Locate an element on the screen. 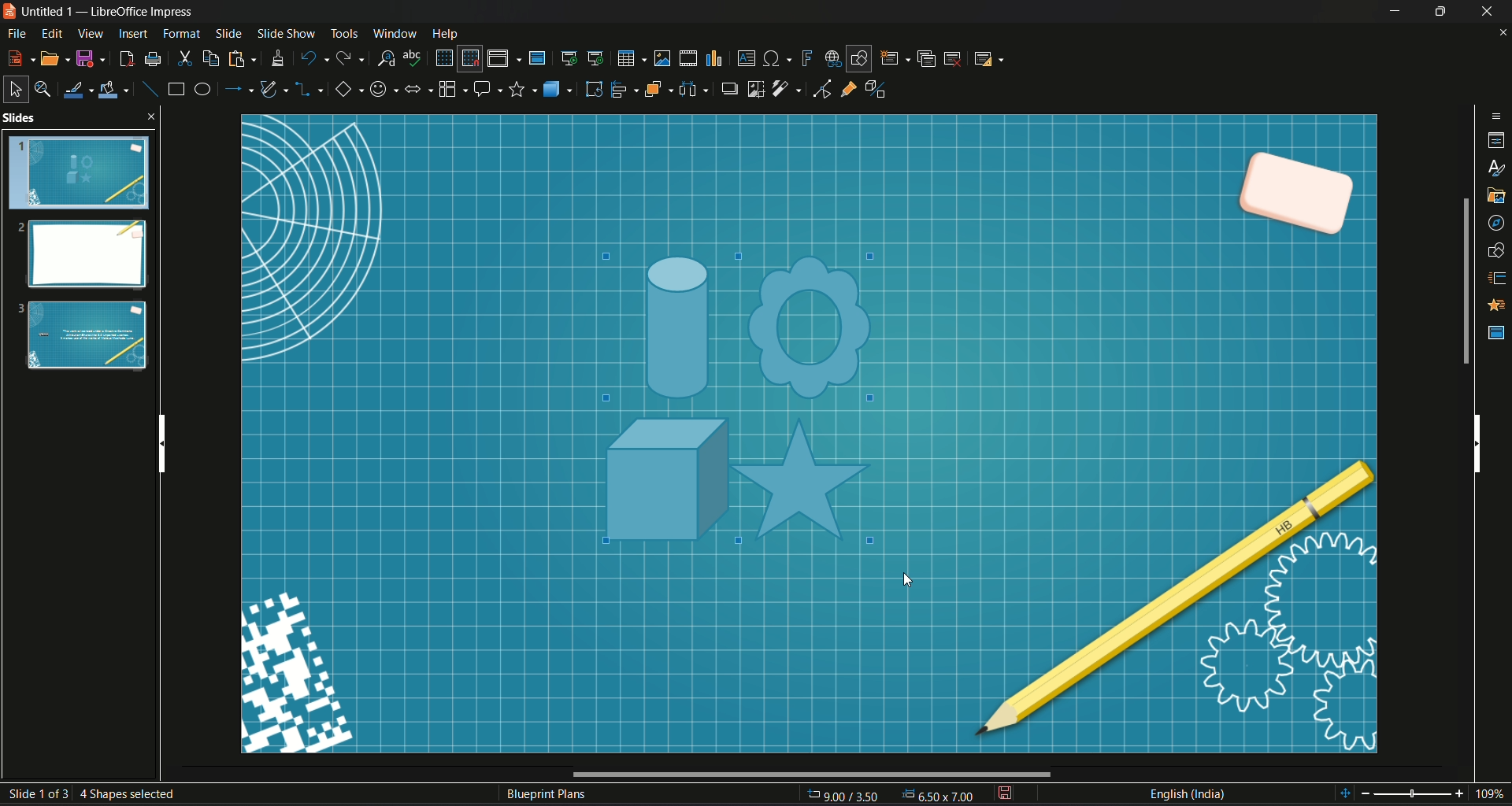 This screenshot has width=1512, height=806. slide transition is located at coordinates (1498, 279).